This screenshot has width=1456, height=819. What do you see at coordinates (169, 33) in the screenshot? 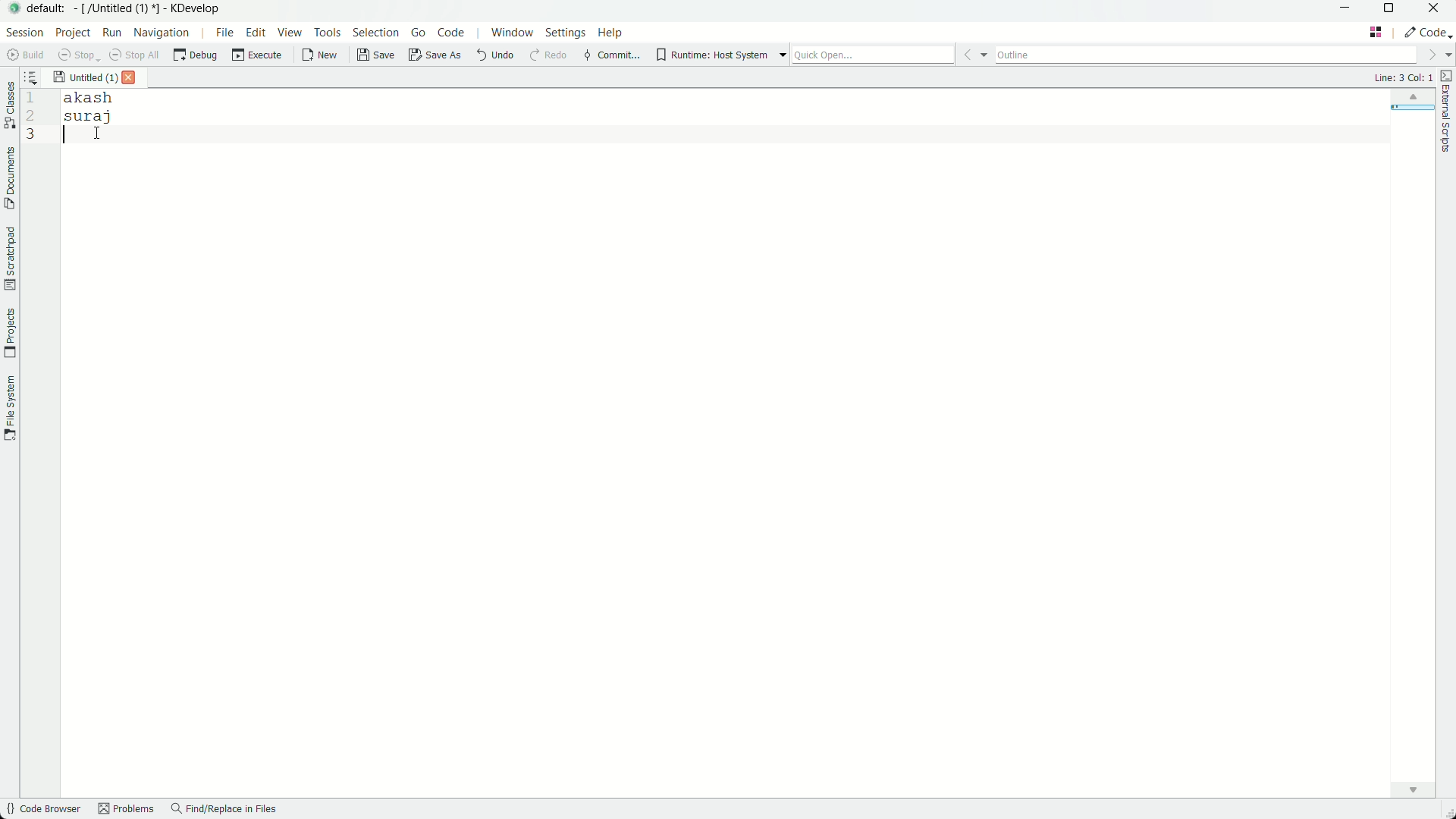
I see `navigation menu` at bounding box center [169, 33].